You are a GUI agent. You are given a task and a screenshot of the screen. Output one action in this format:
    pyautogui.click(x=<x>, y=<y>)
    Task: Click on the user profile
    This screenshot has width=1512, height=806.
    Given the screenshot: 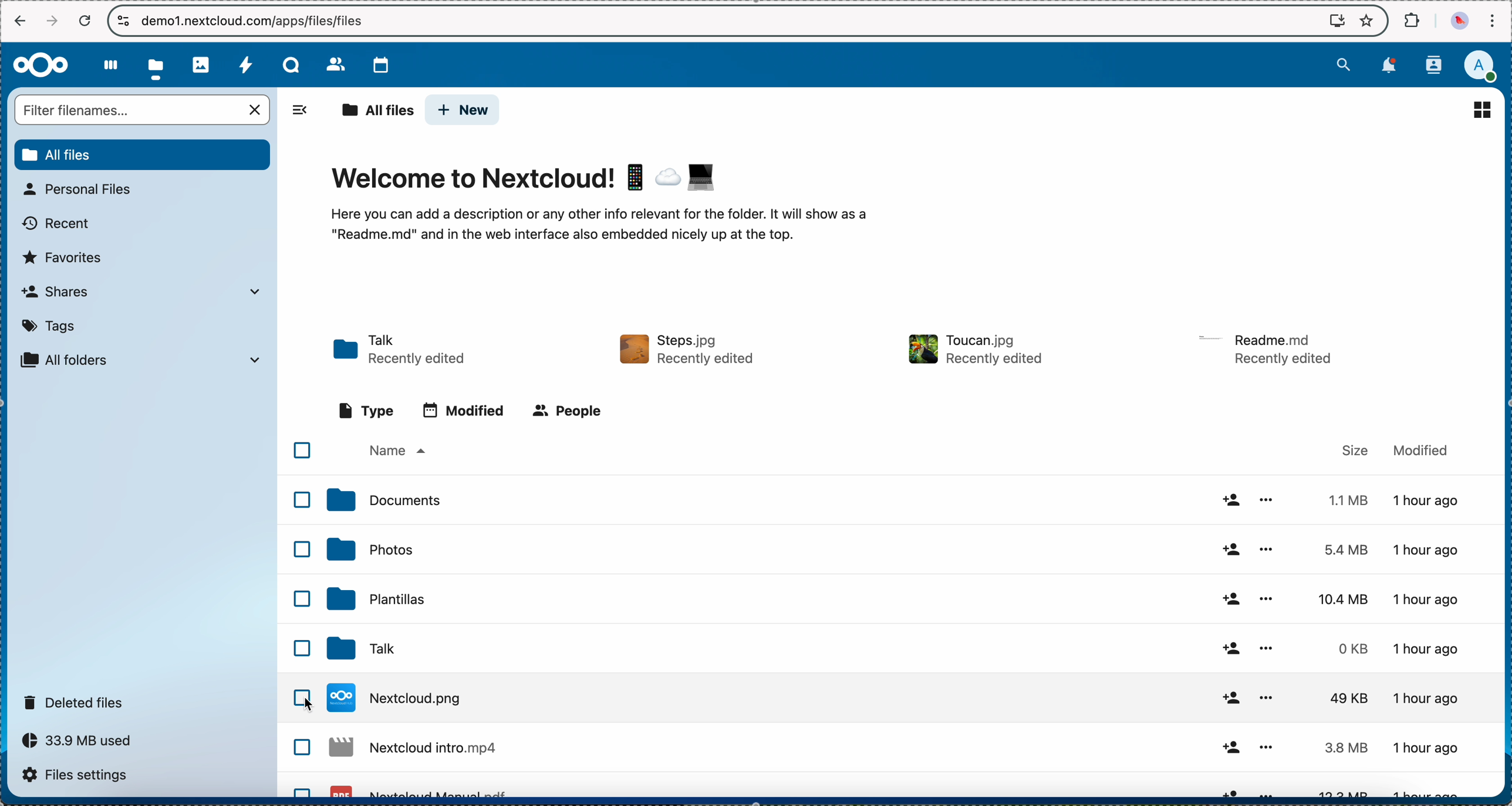 What is the action you would take?
    pyautogui.click(x=1486, y=66)
    